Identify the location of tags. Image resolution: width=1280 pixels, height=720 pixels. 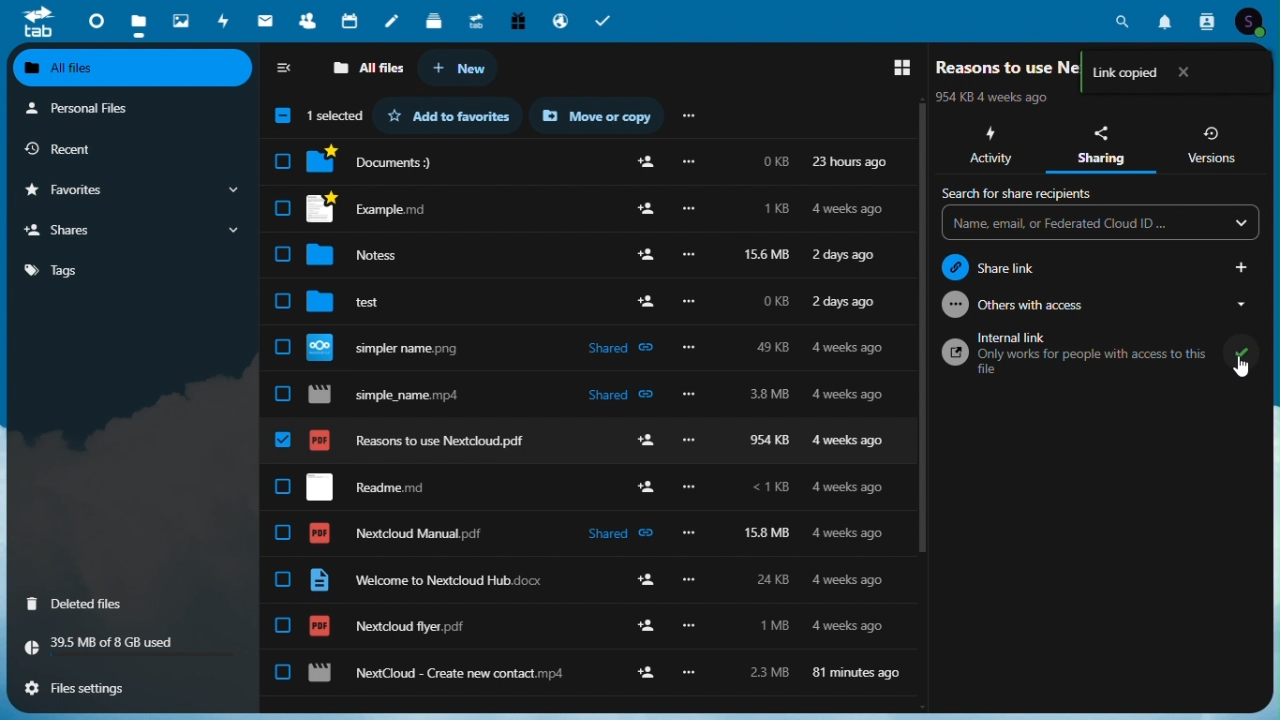
(134, 268).